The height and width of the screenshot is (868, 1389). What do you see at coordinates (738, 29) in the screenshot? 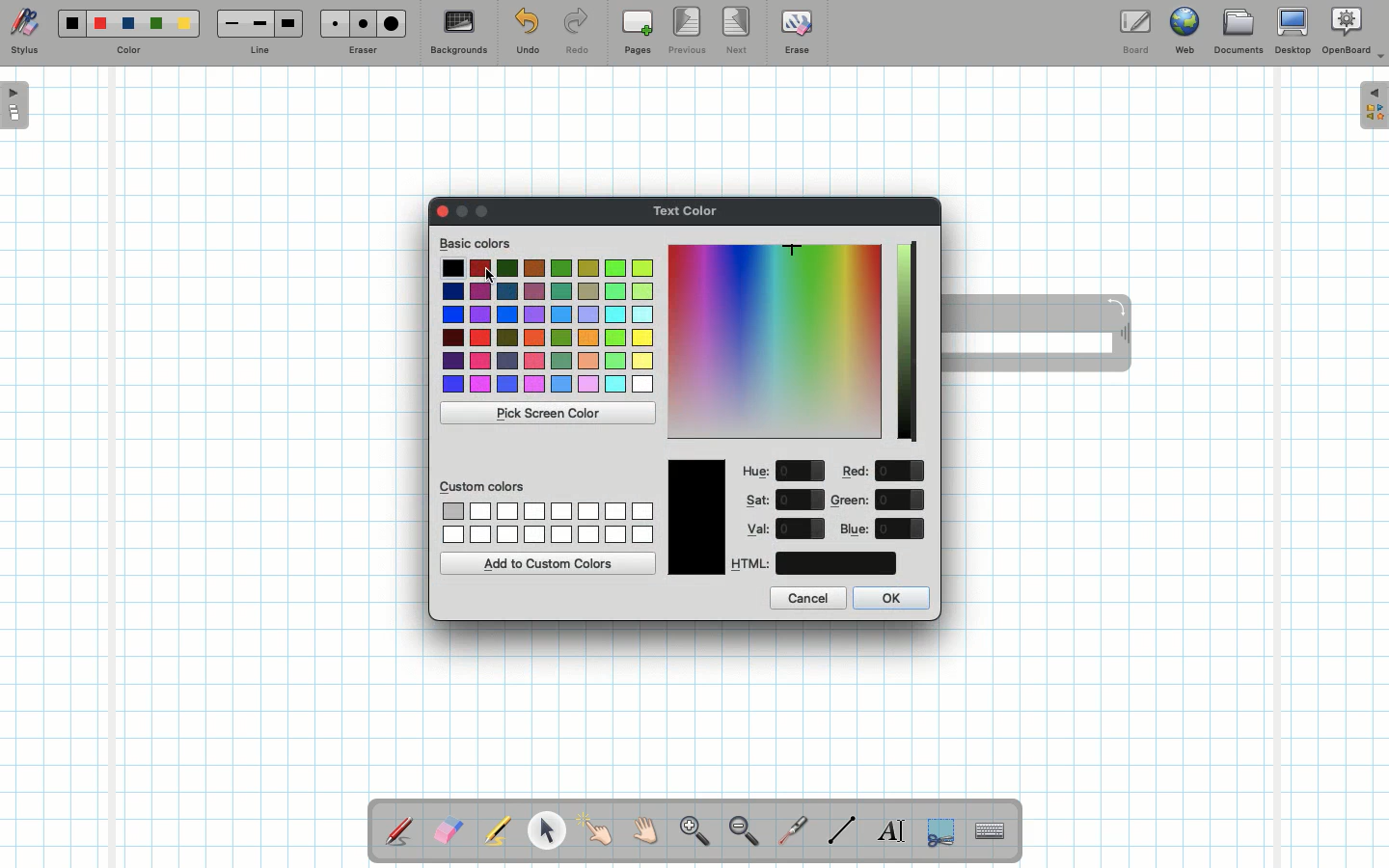
I see `Next` at bounding box center [738, 29].